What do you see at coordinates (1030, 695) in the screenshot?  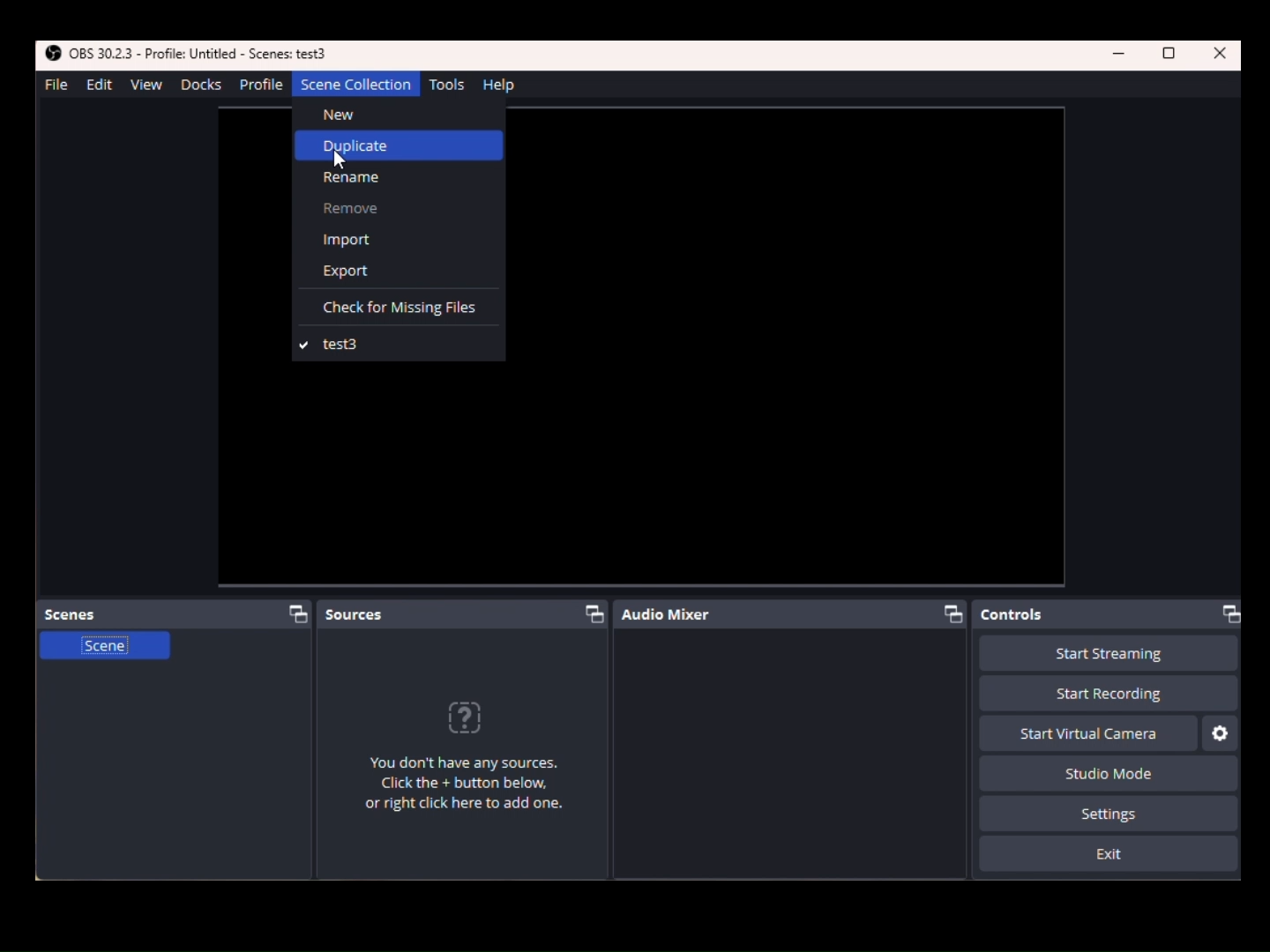 I see `Start Recording` at bounding box center [1030, 695].